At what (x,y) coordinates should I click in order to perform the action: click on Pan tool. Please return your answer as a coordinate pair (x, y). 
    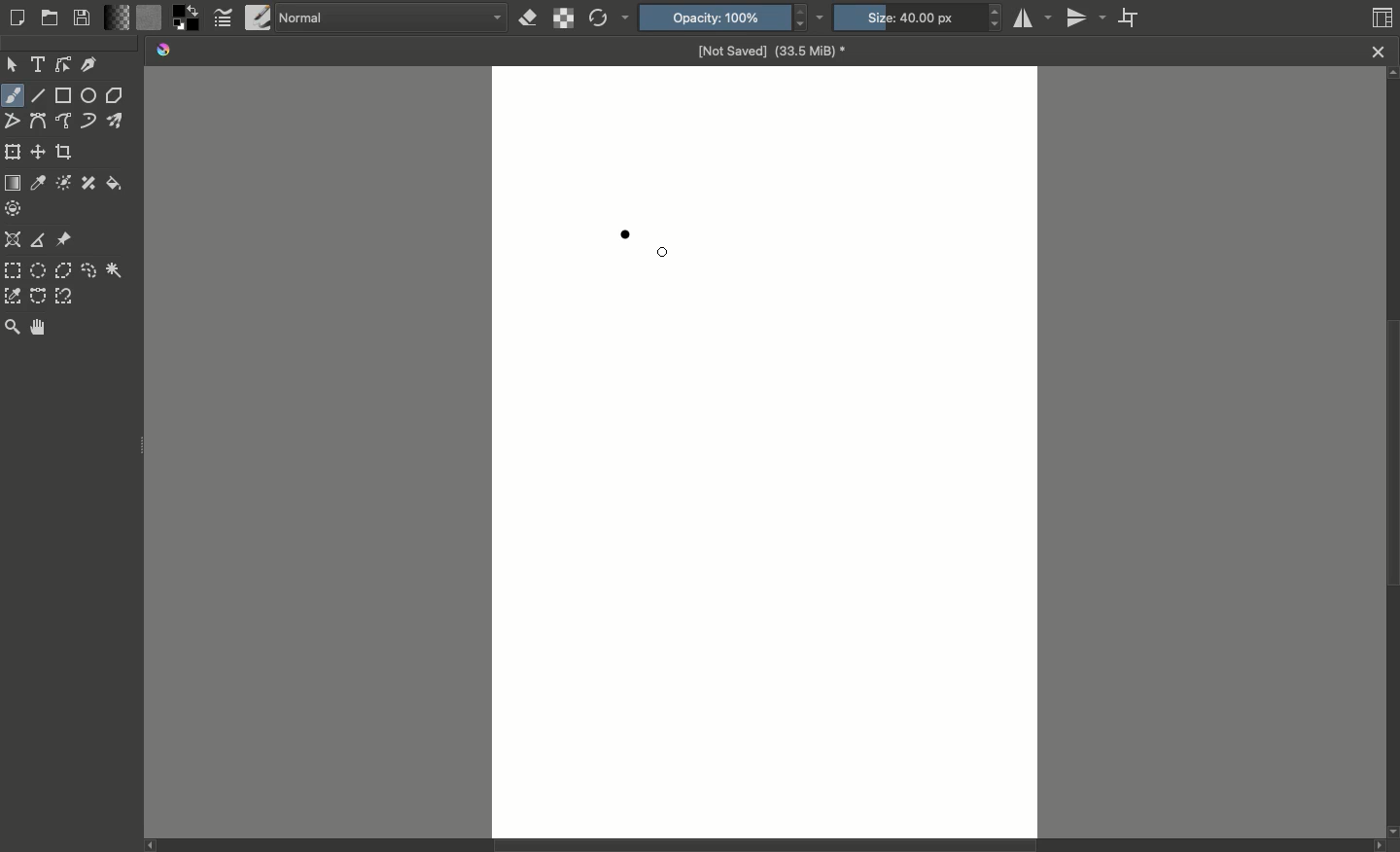
    Looking at the image, I should click on (39, 327).